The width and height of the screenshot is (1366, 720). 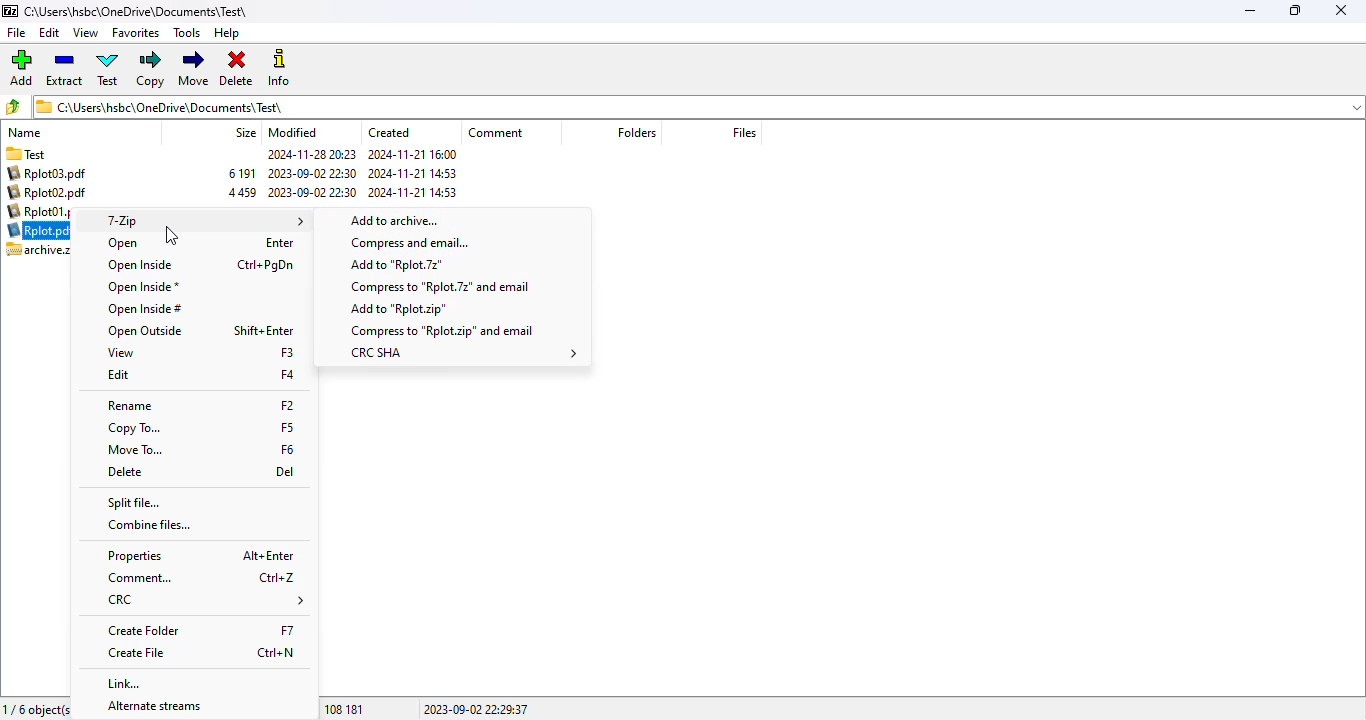 I want to click on pdf files, so click(x=45, y=192).